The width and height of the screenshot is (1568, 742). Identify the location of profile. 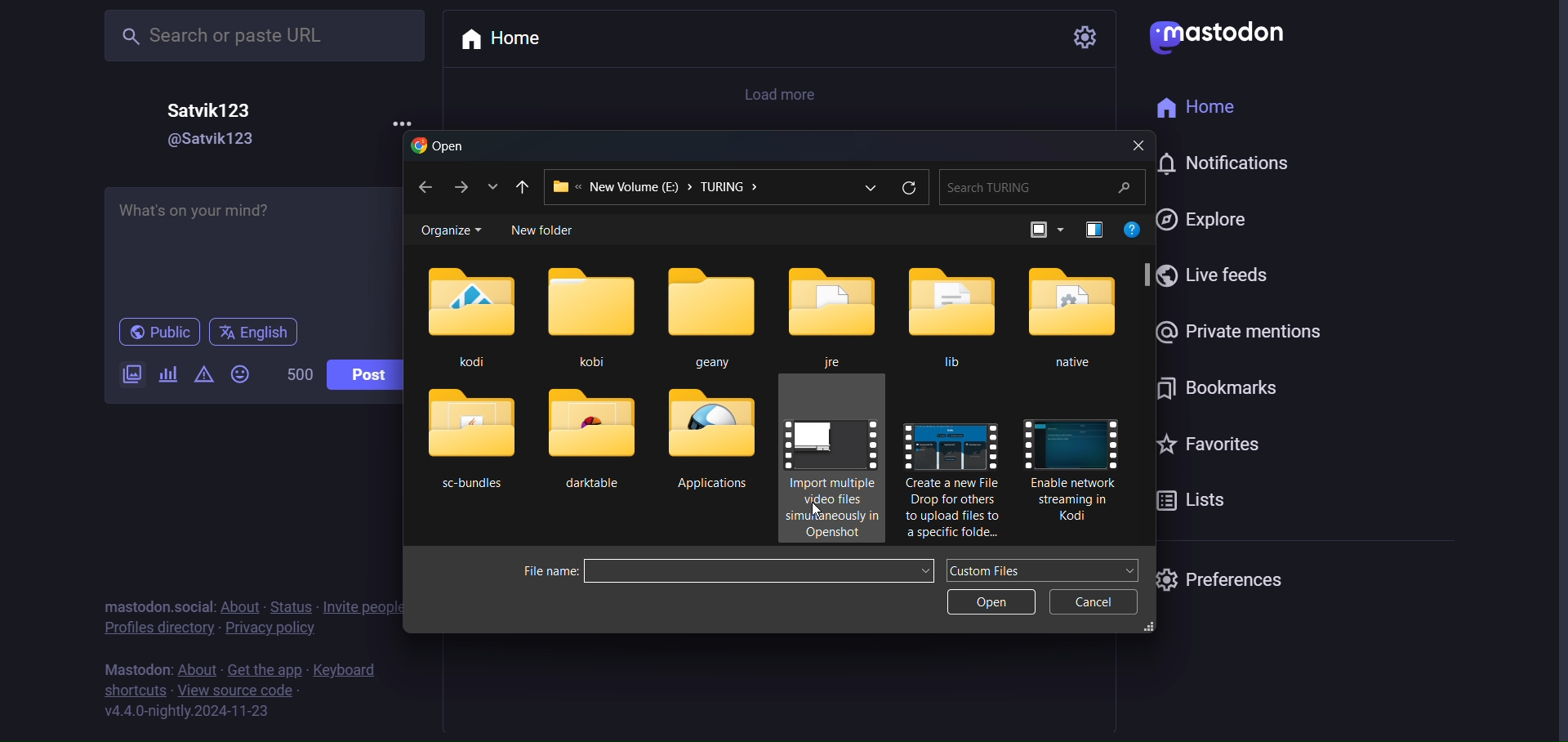
(152, 628).